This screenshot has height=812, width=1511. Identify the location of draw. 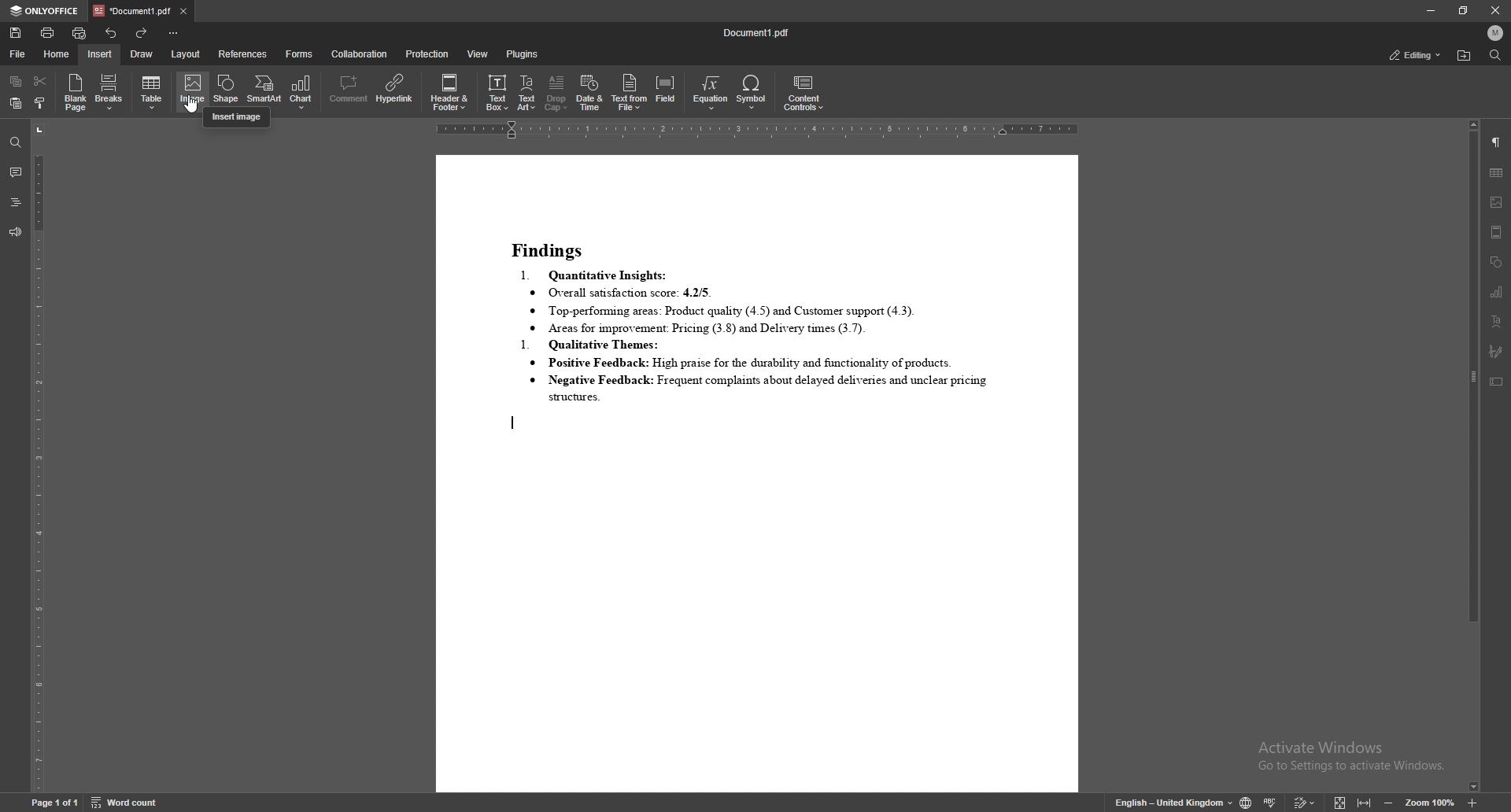
(142, 54).